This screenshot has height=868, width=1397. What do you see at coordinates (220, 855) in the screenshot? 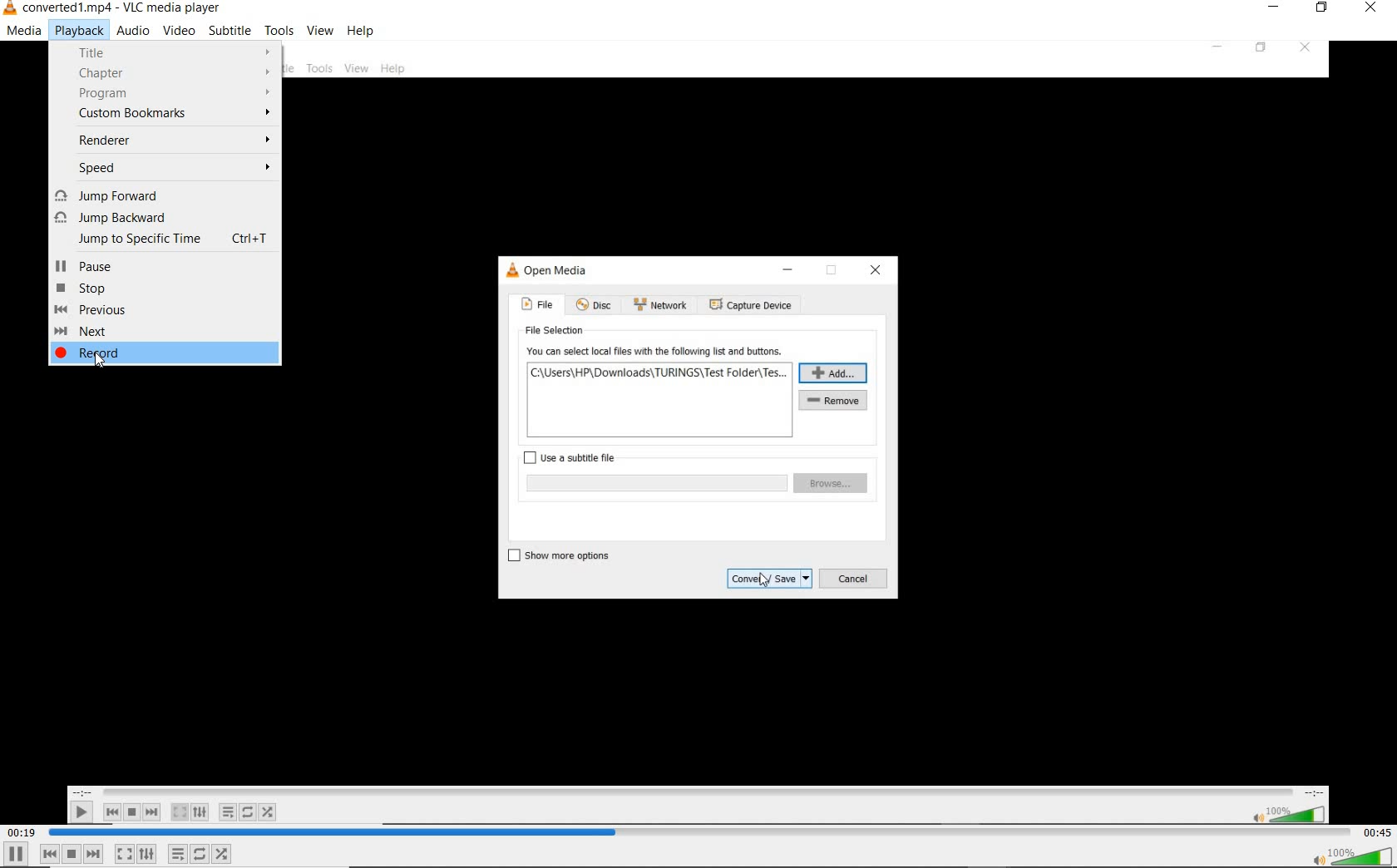
I see `random` at bounding box center [220, 855].